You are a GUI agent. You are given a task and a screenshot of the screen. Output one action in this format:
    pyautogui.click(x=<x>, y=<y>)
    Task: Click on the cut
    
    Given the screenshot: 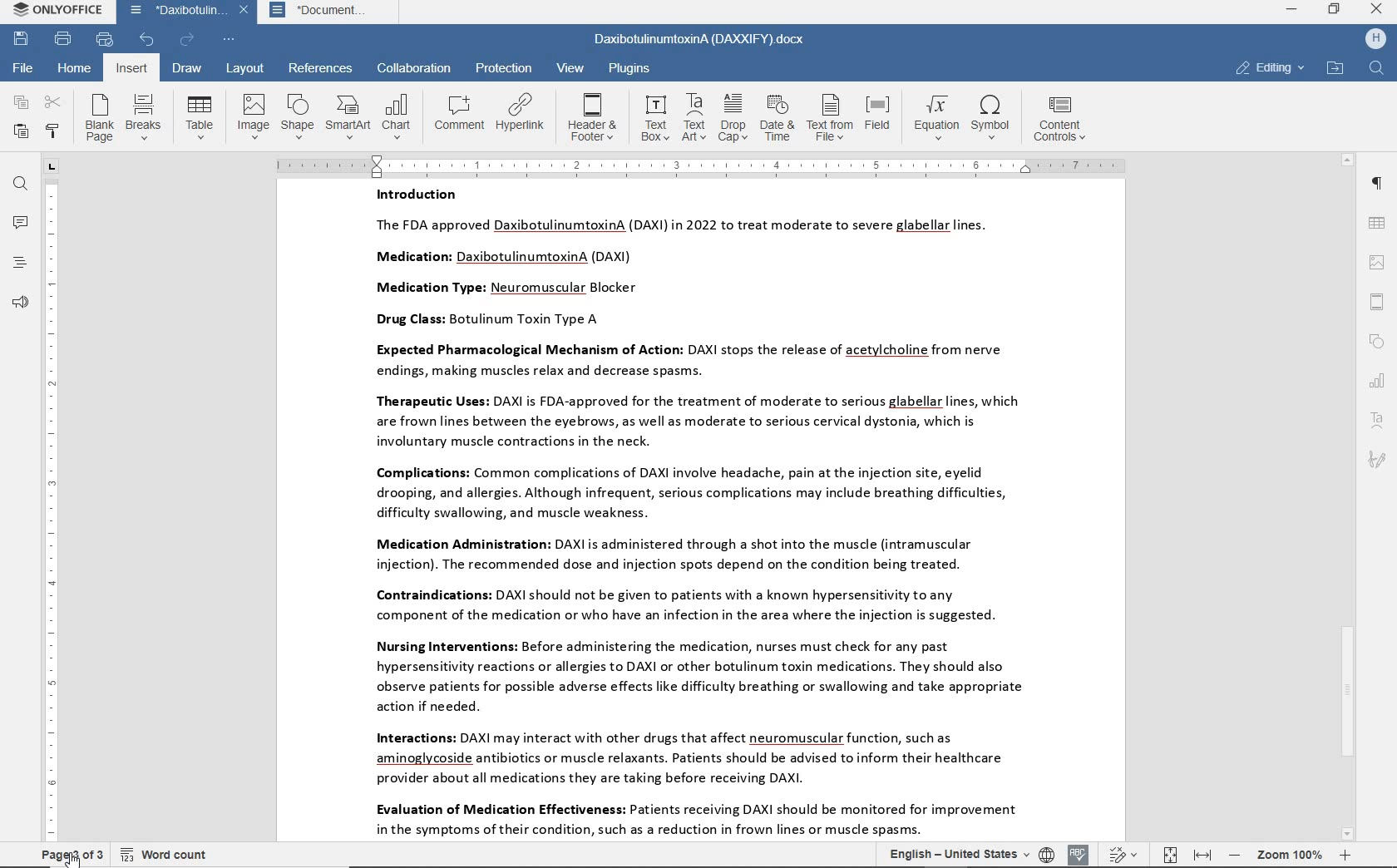 What is the action you would take?
    pyautogui.click(x=53, y=102)
    